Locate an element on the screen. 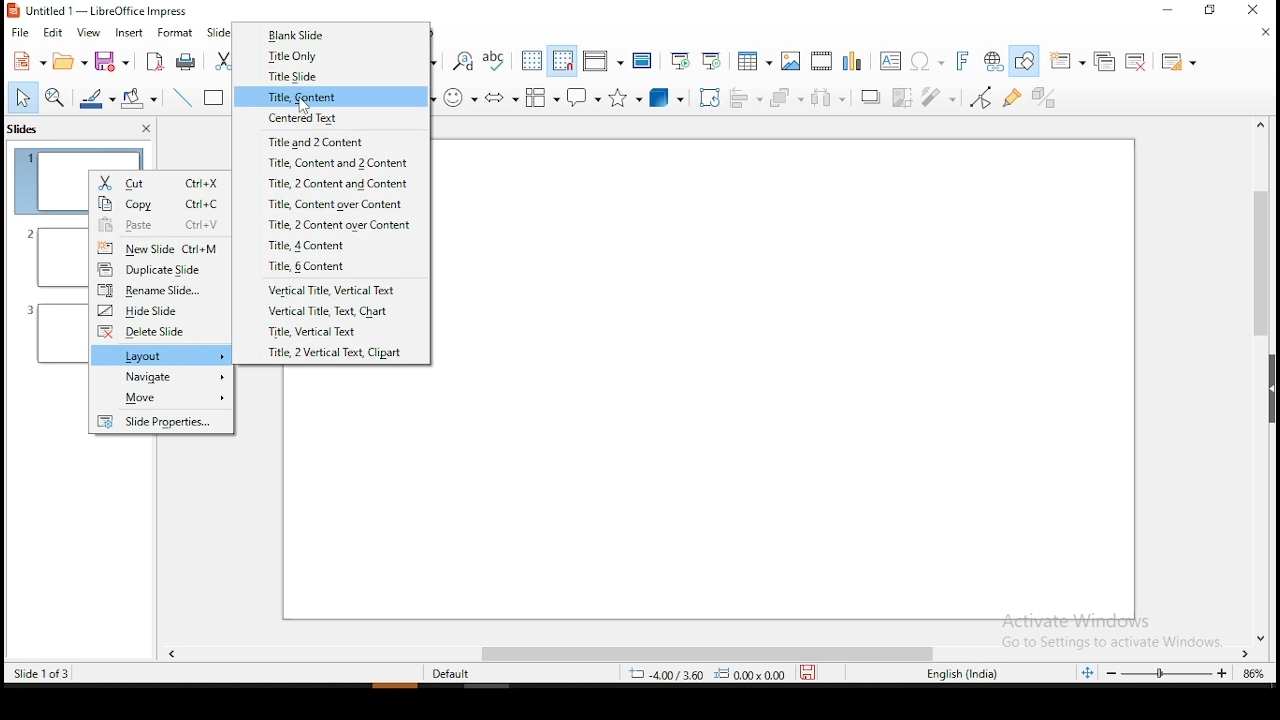  toggle point edit mode is located at coordinates (984, 96).